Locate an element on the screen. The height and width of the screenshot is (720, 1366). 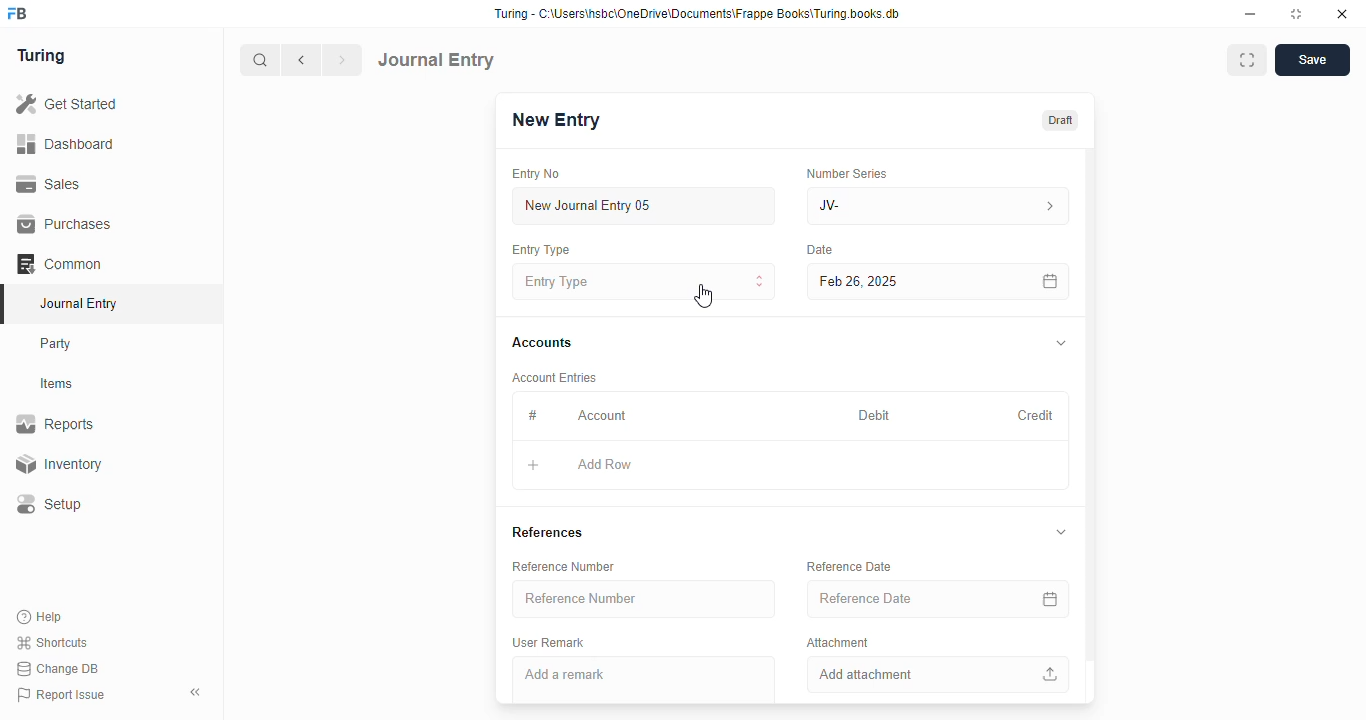
inventory is located at coordinates (58, 464).